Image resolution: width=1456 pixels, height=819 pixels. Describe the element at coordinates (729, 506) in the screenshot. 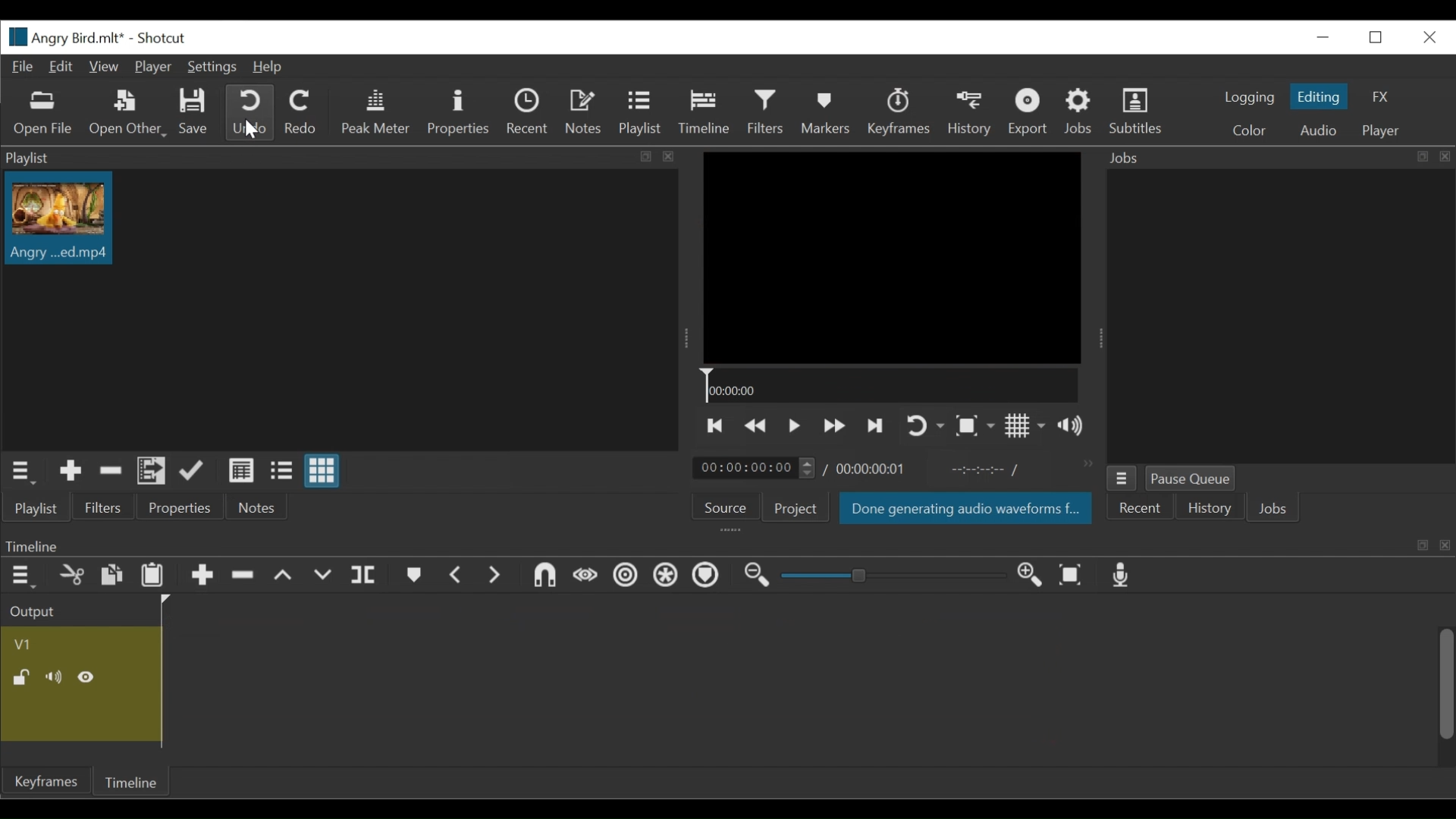

I see `Source` at that location.